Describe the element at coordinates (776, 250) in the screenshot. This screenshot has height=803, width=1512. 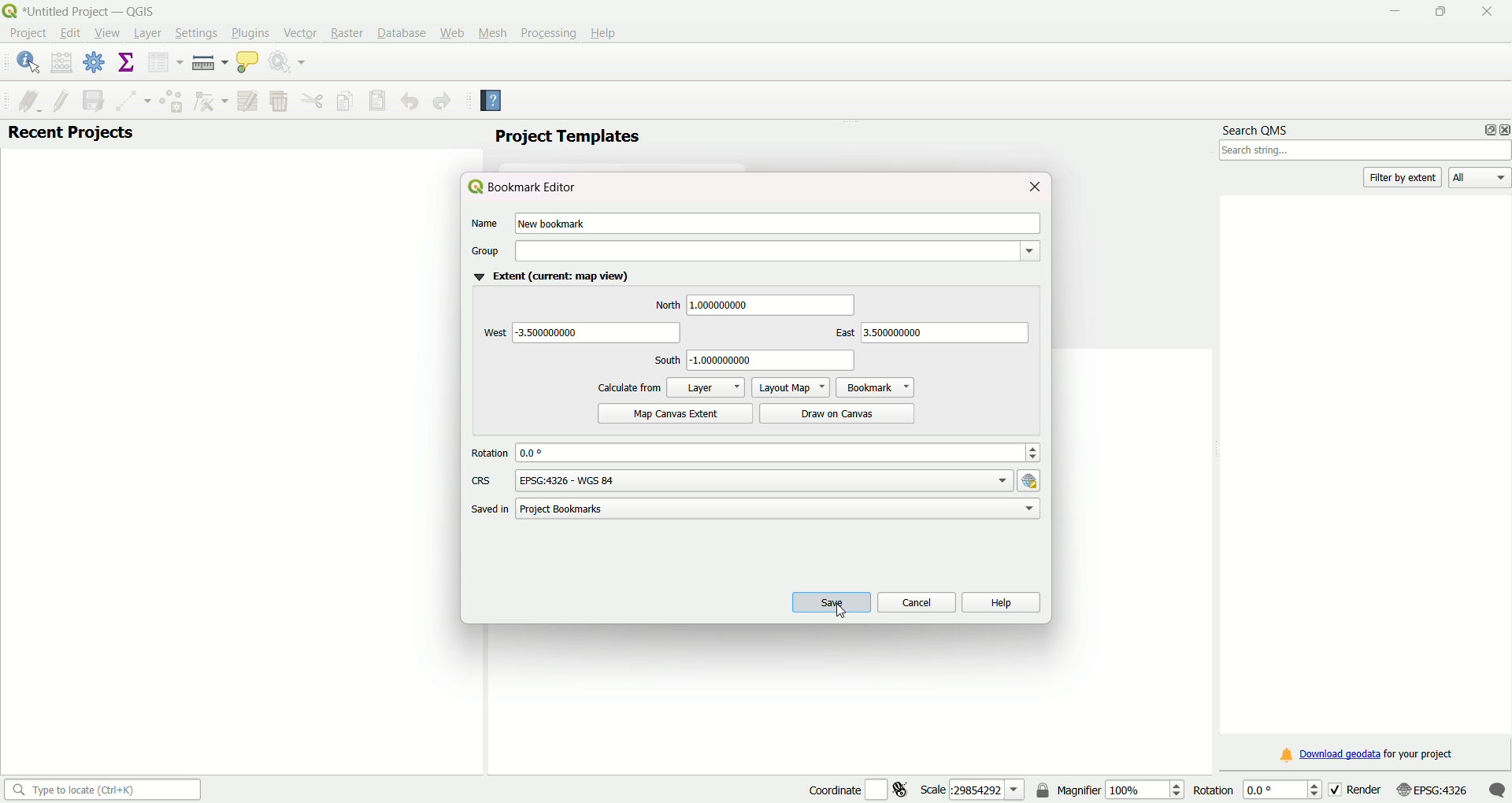
I see `dropdown` at that location.